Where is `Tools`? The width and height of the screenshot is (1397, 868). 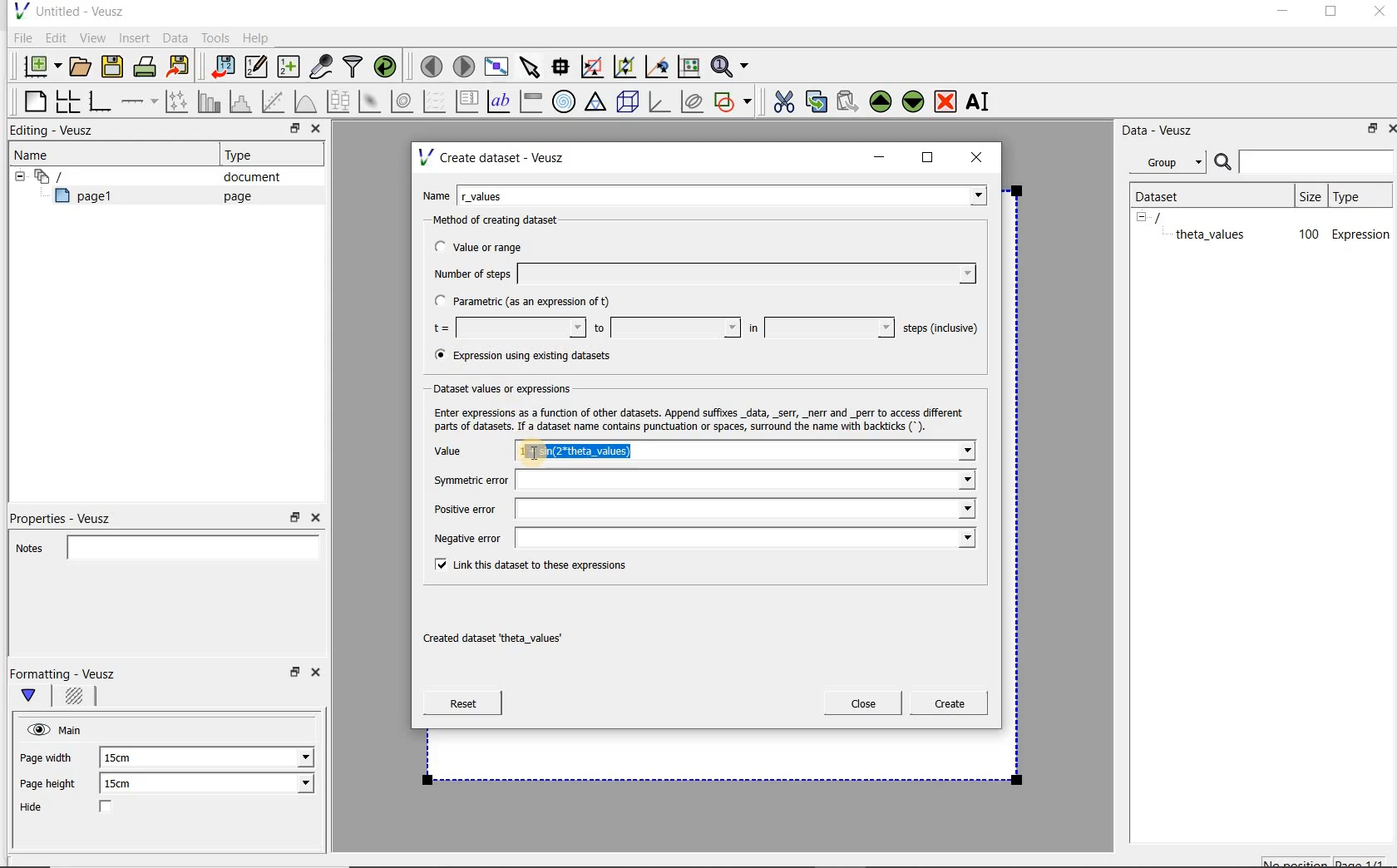 Tools is located at coordinates (214, 38).